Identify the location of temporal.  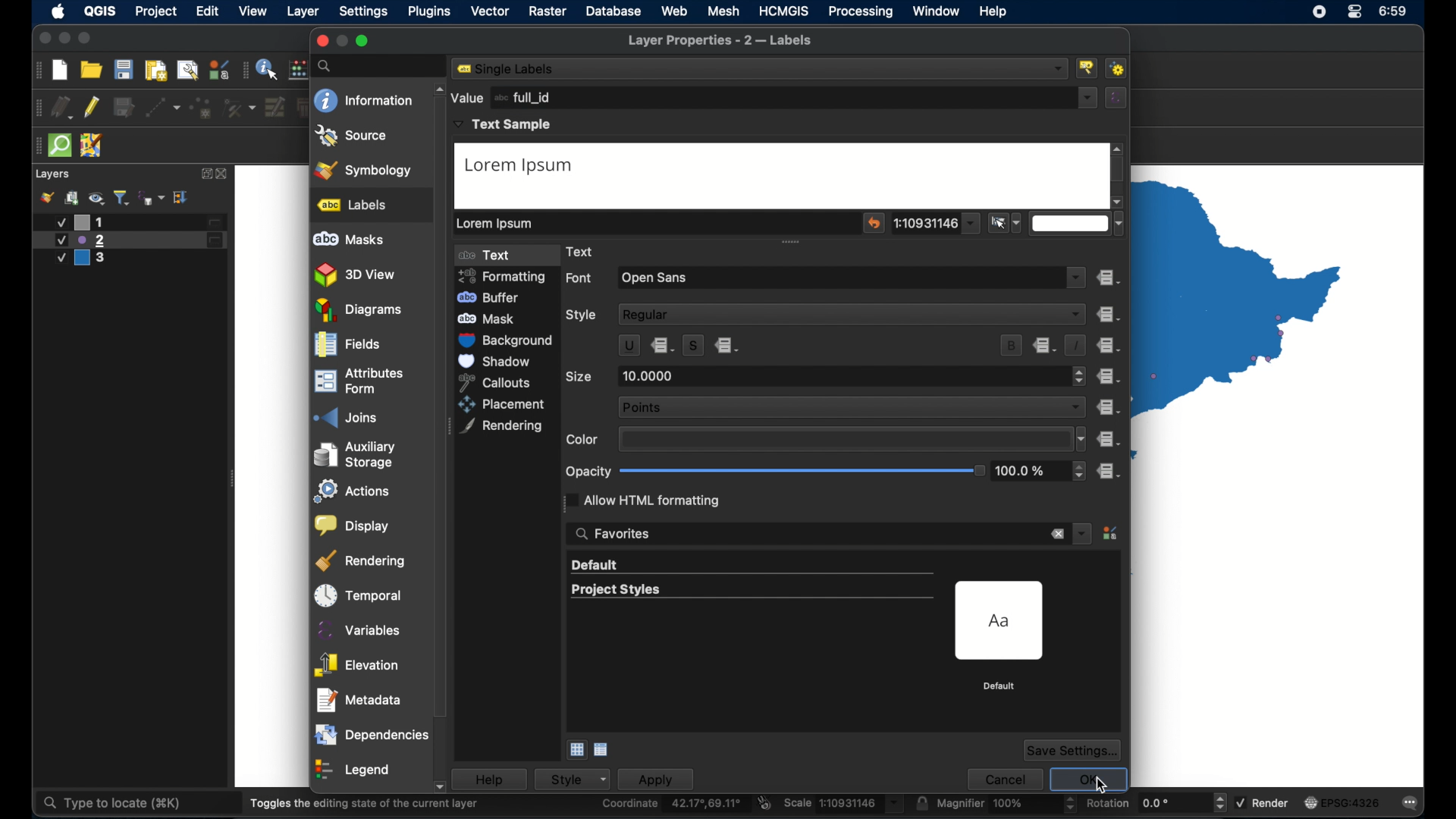
(359, 591).